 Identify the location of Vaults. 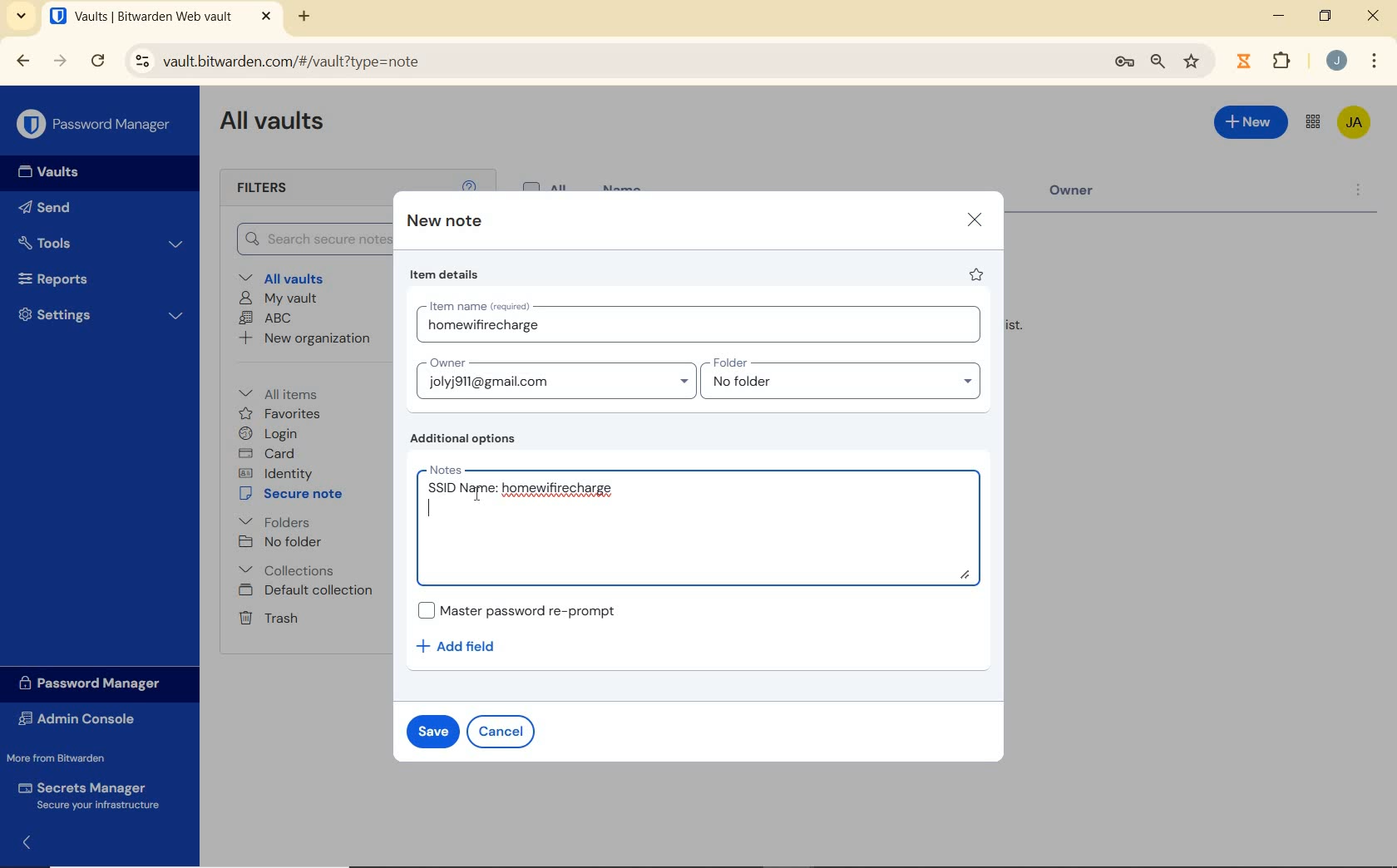
(43, 172).